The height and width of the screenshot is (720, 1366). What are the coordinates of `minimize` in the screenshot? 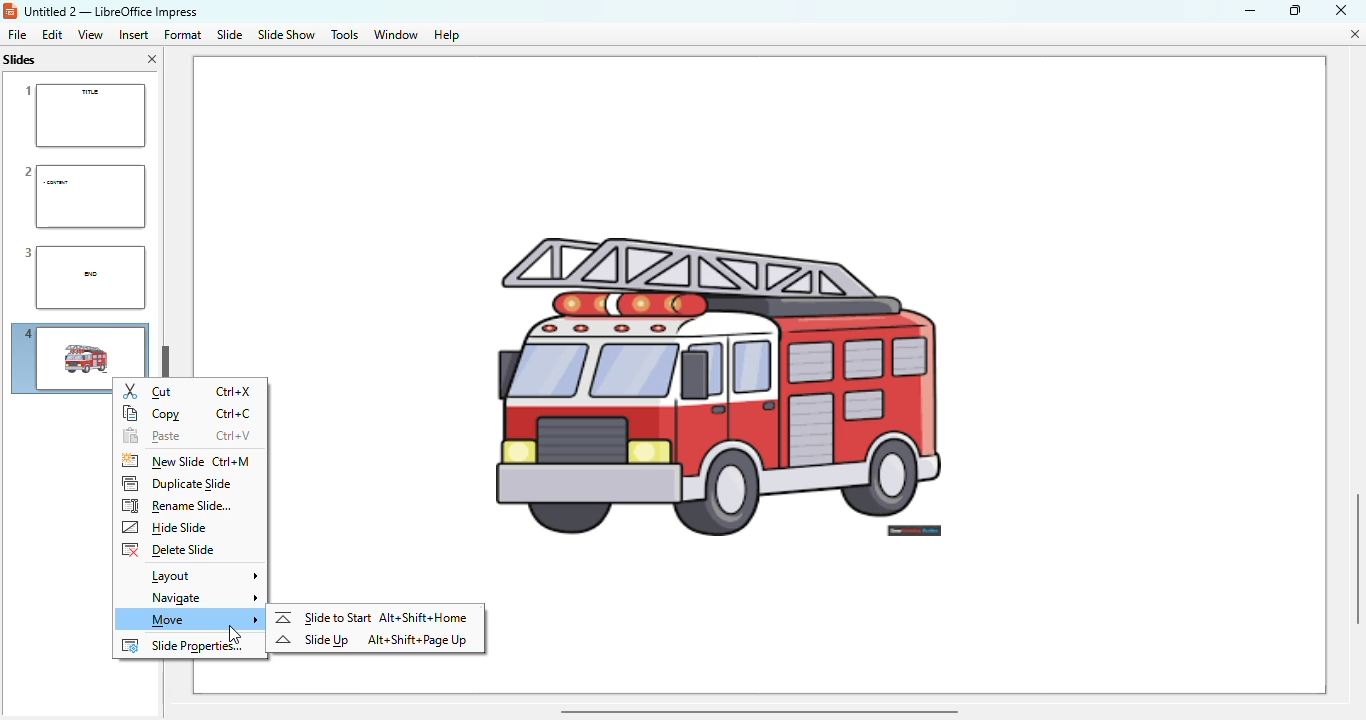 It's located at (1249, 10).